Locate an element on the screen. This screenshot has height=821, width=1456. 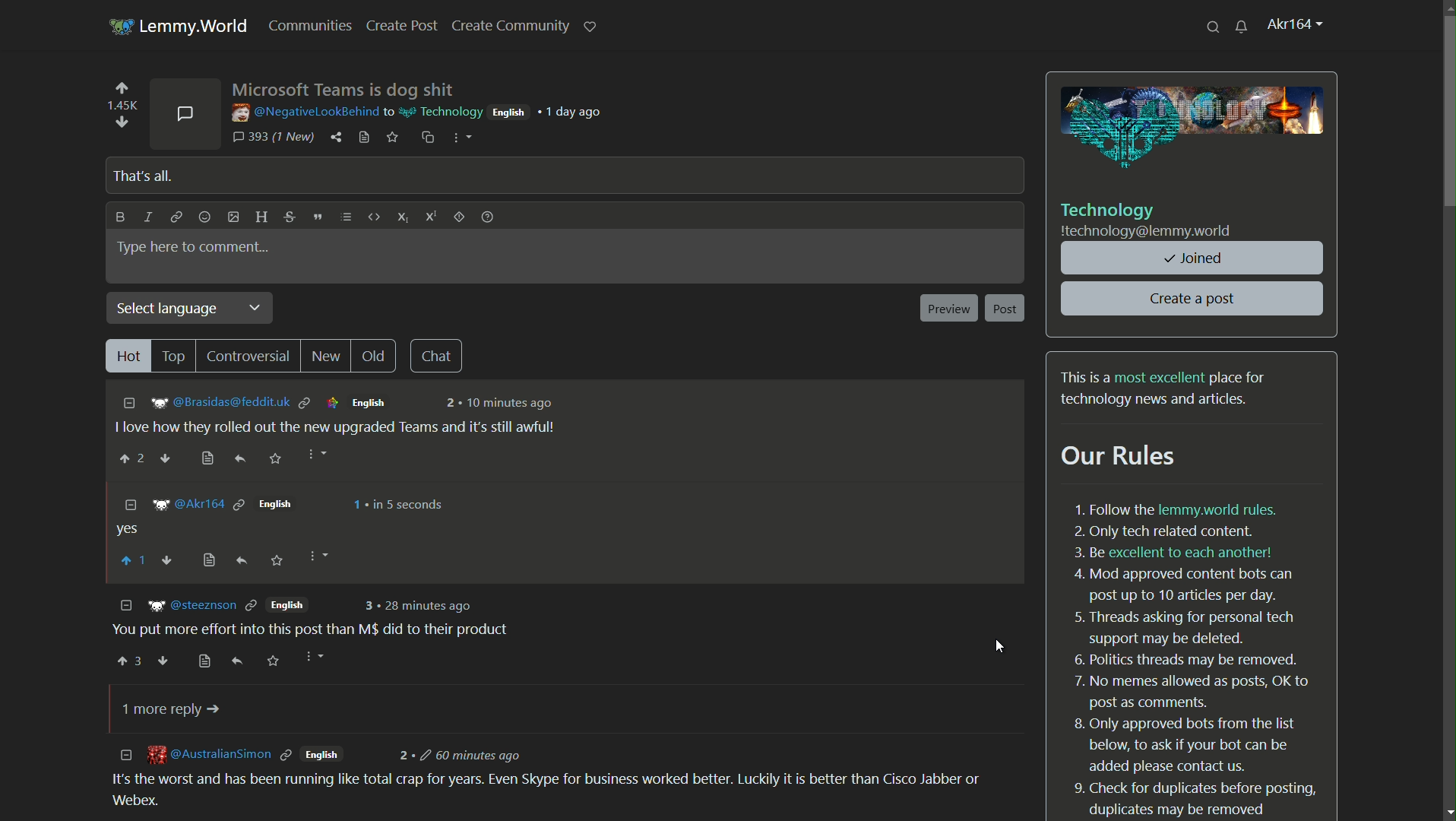
save is located at coordinates (272, 660).